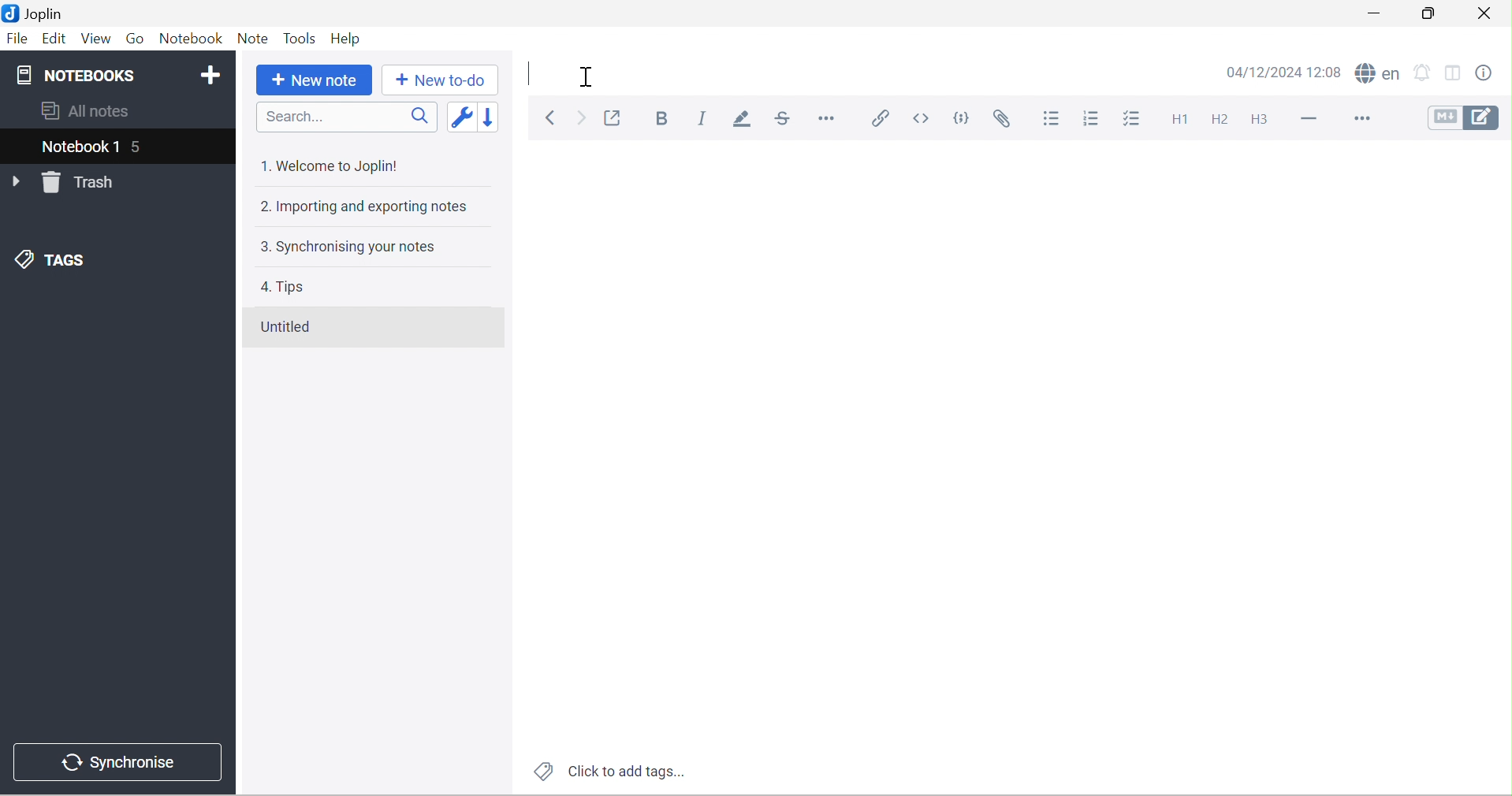  I want to click on Italic, so click(707, 118).